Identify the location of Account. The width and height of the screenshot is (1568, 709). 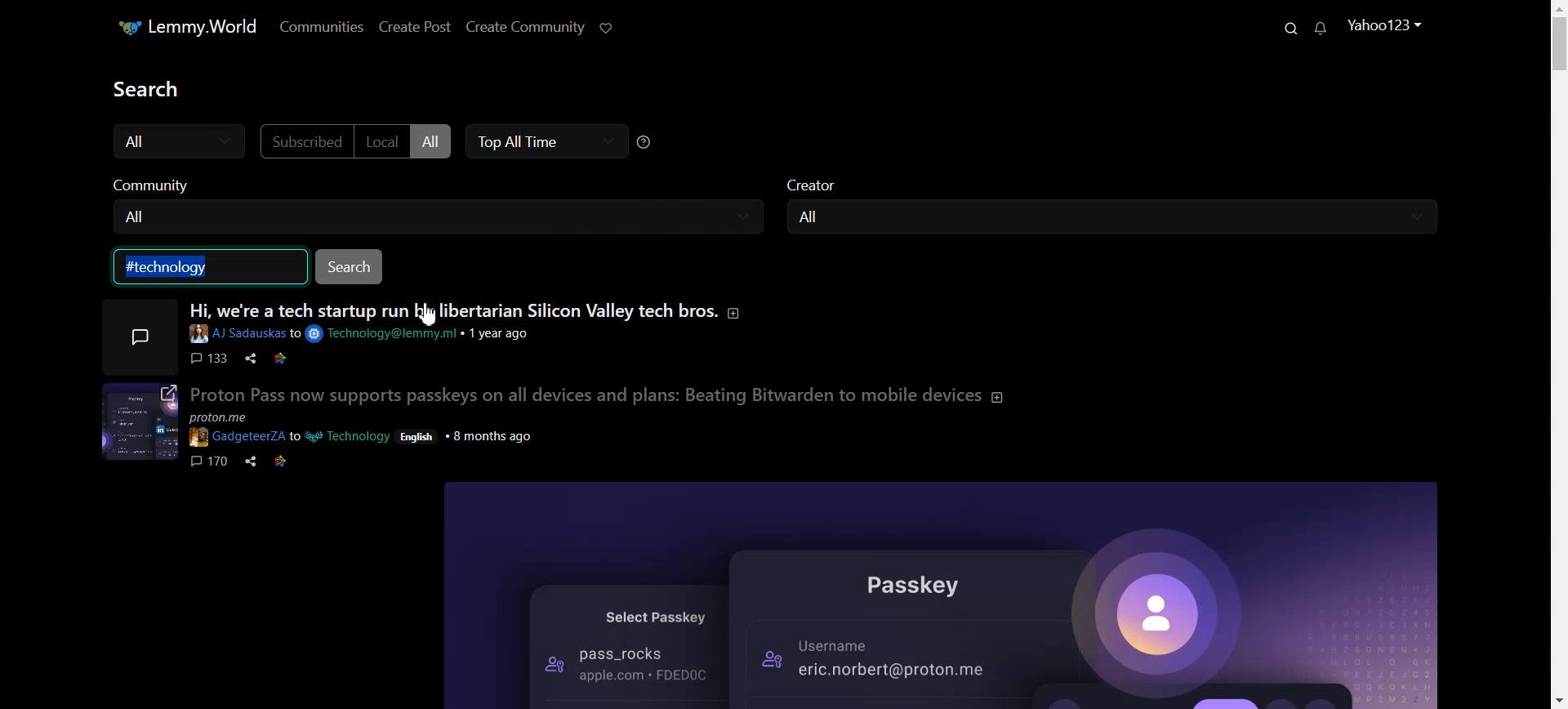
(1389, 26).